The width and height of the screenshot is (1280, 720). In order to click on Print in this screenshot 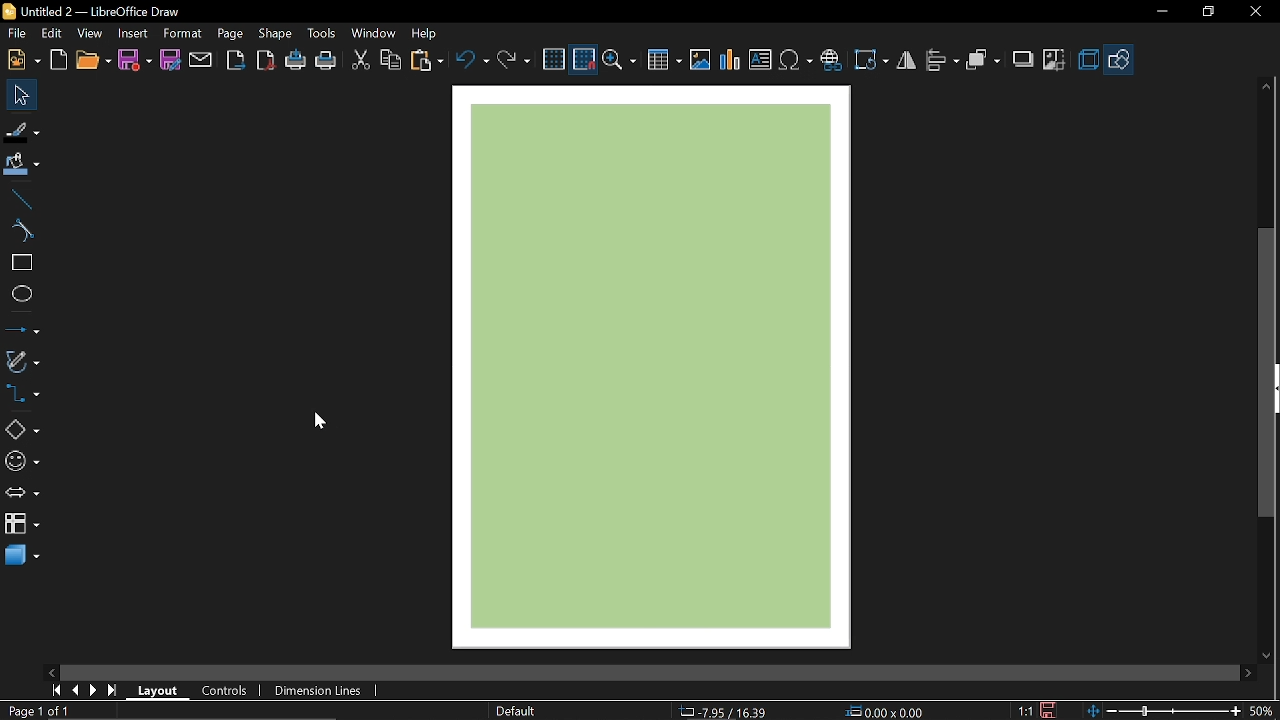, I will do `click(326, 61)`.